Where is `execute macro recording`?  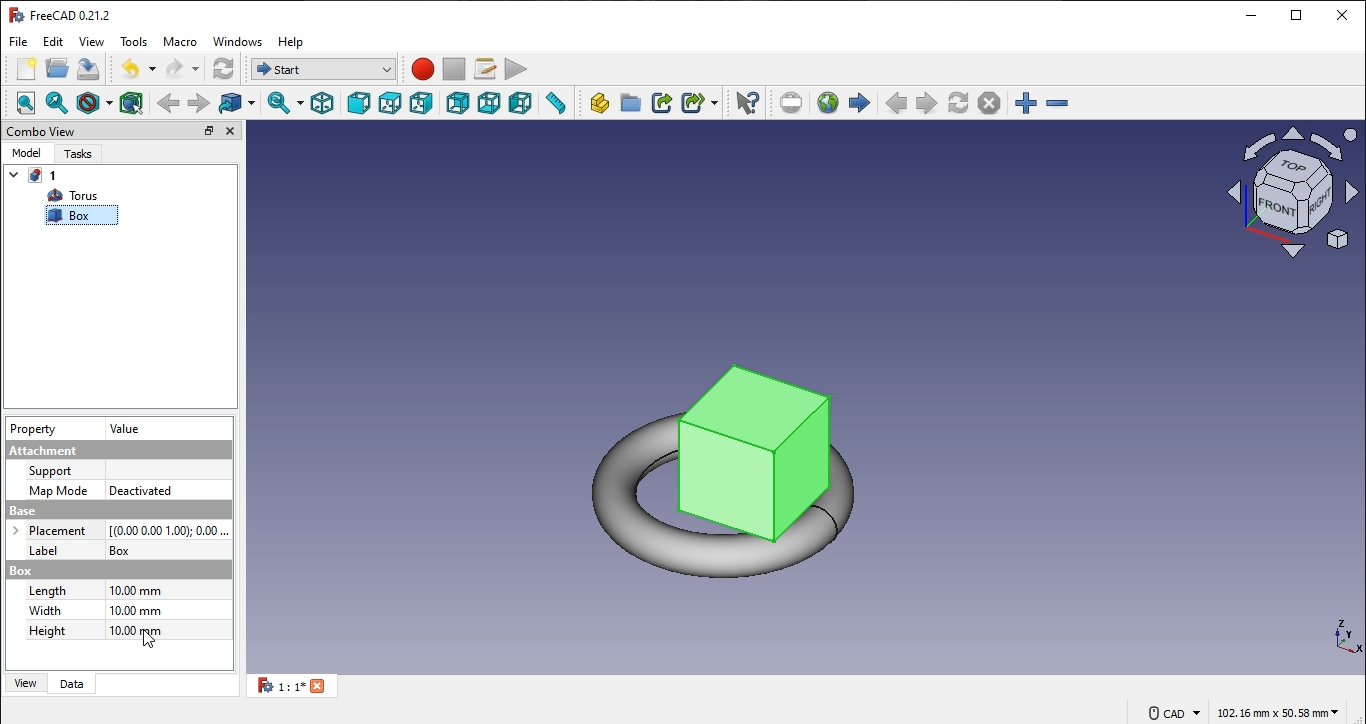 execute macro recording is located at coordinates (515, 70).